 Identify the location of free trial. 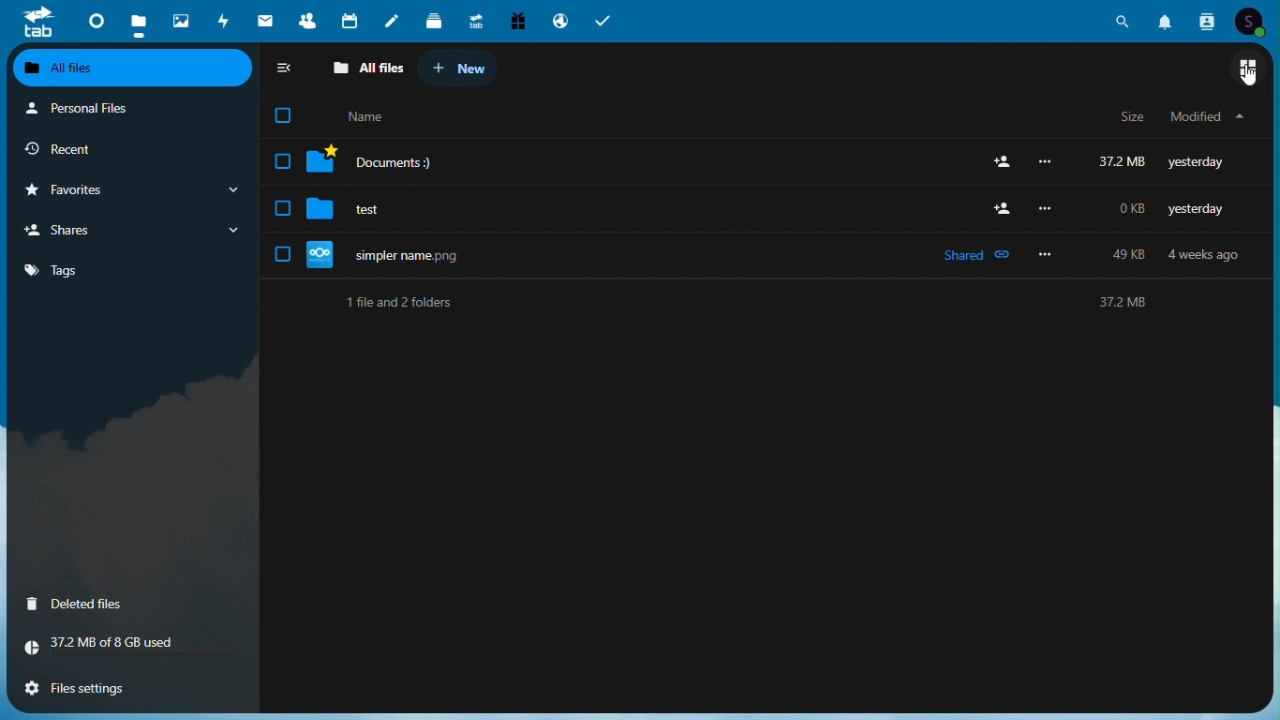
(517, 20).